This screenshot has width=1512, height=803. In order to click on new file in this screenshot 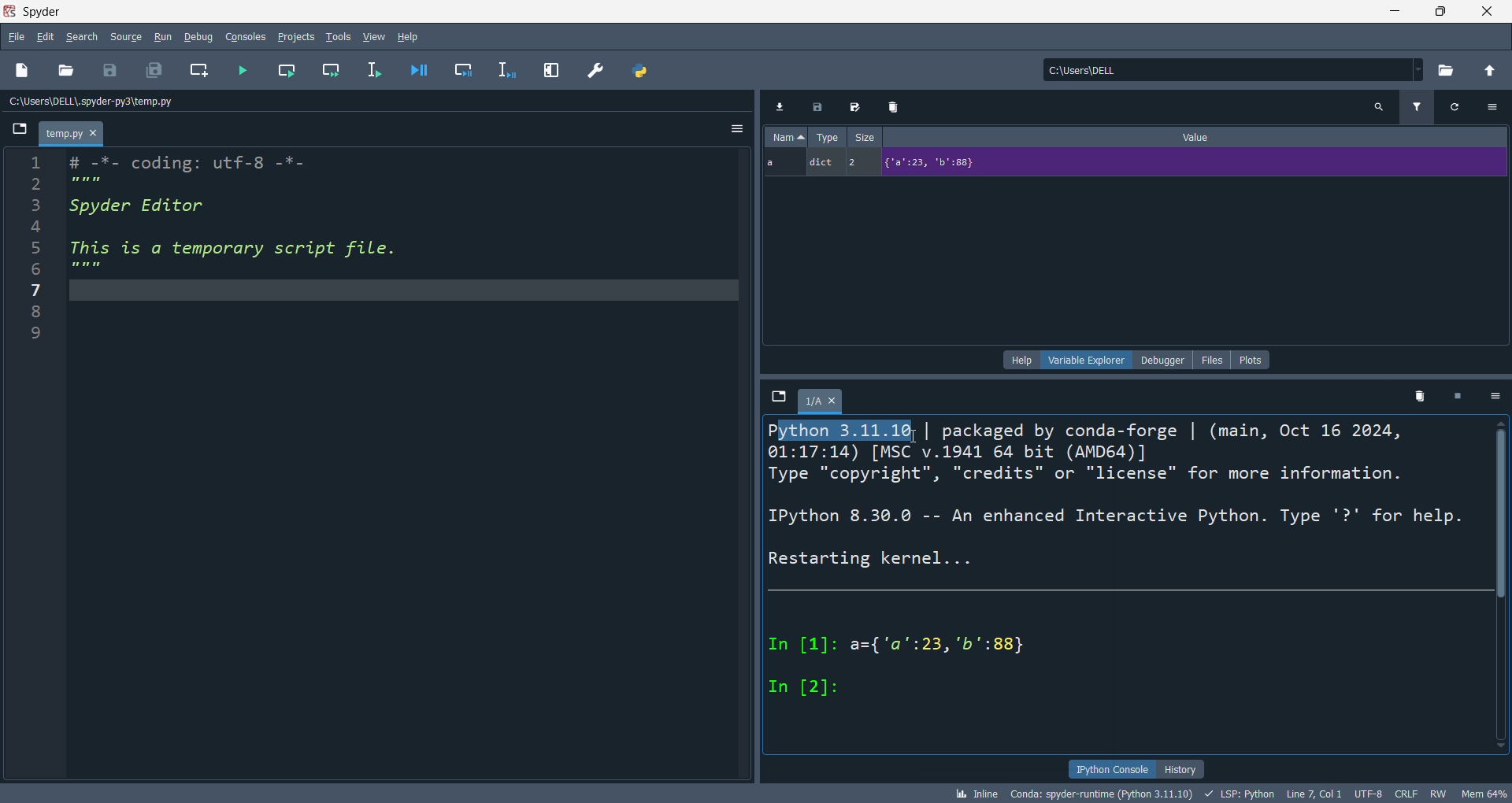, I will do `click(23, 68)`.